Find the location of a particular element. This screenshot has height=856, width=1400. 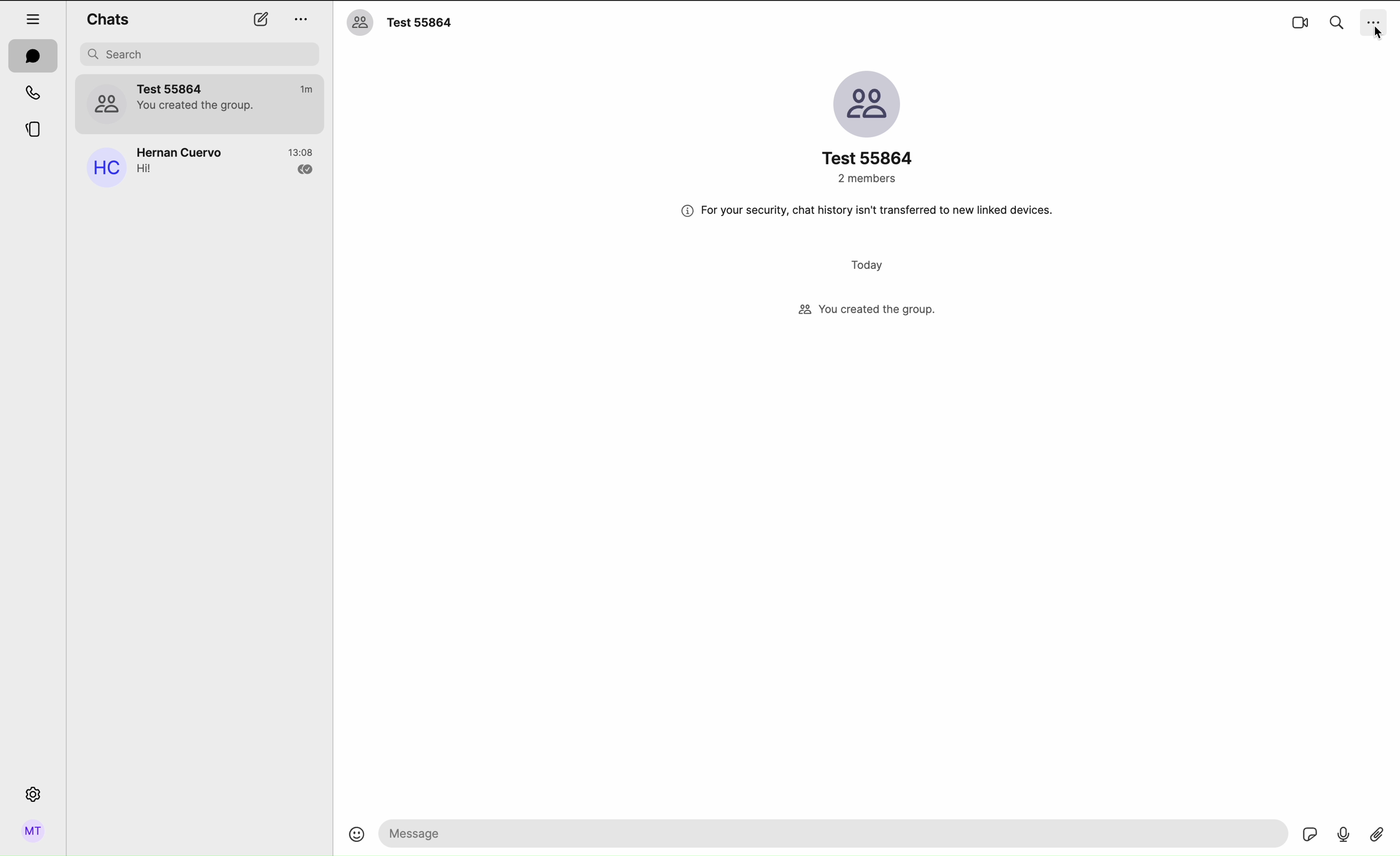

safety message is located at coordinates (869, 210).